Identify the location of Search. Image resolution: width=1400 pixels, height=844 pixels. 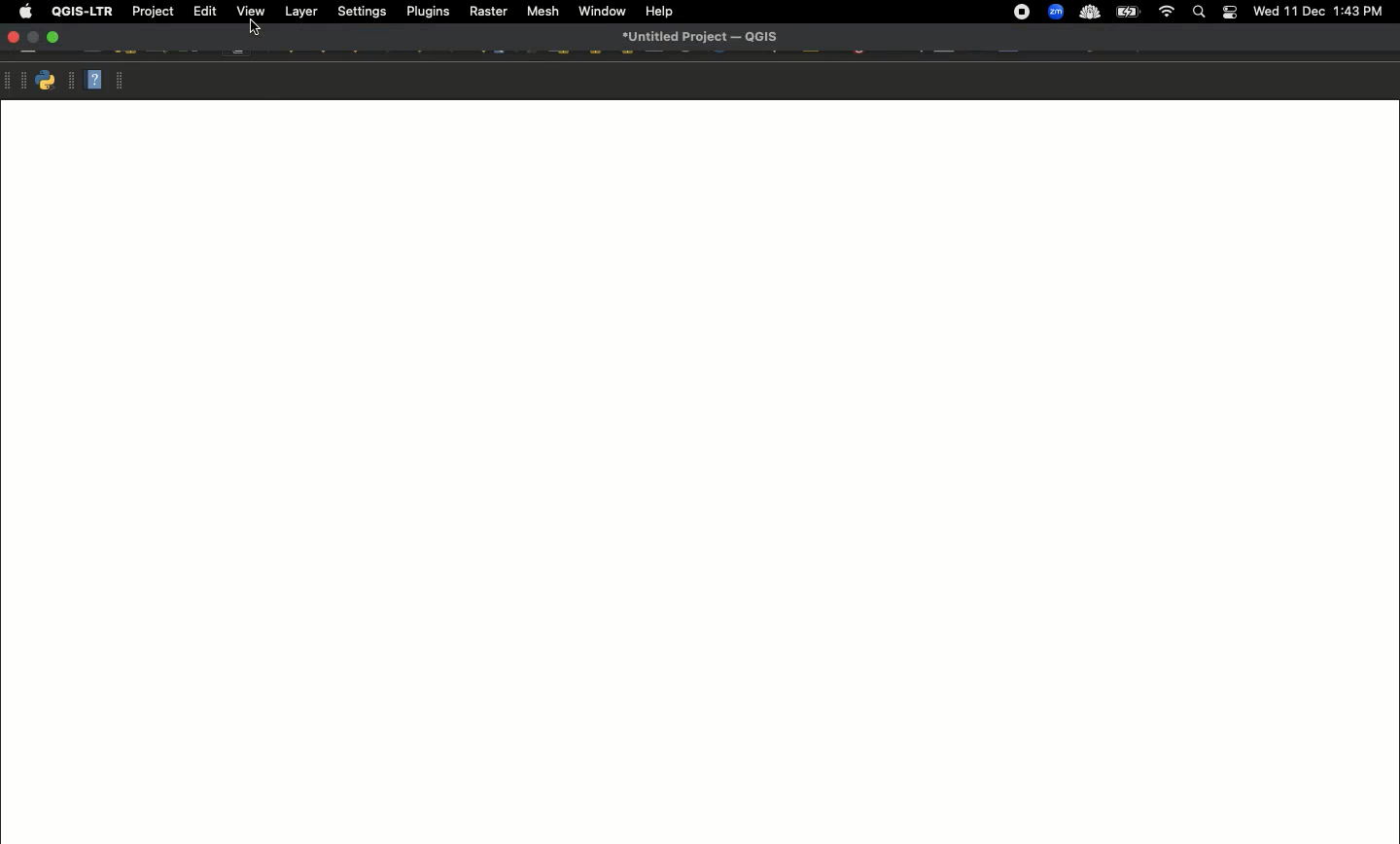
(1197, 14).